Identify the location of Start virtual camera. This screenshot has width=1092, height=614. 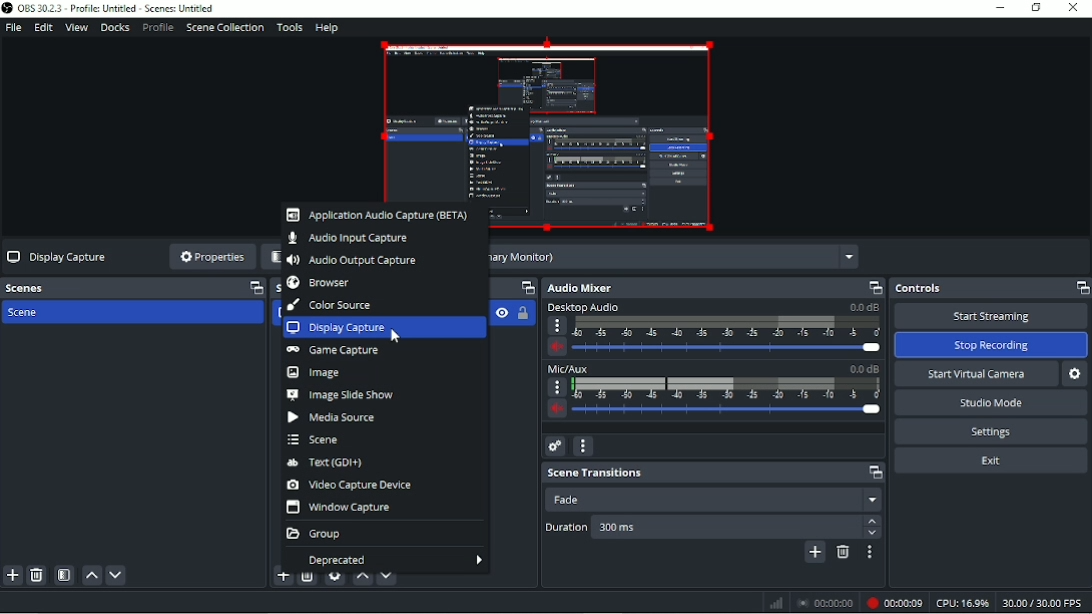
(976, 375).